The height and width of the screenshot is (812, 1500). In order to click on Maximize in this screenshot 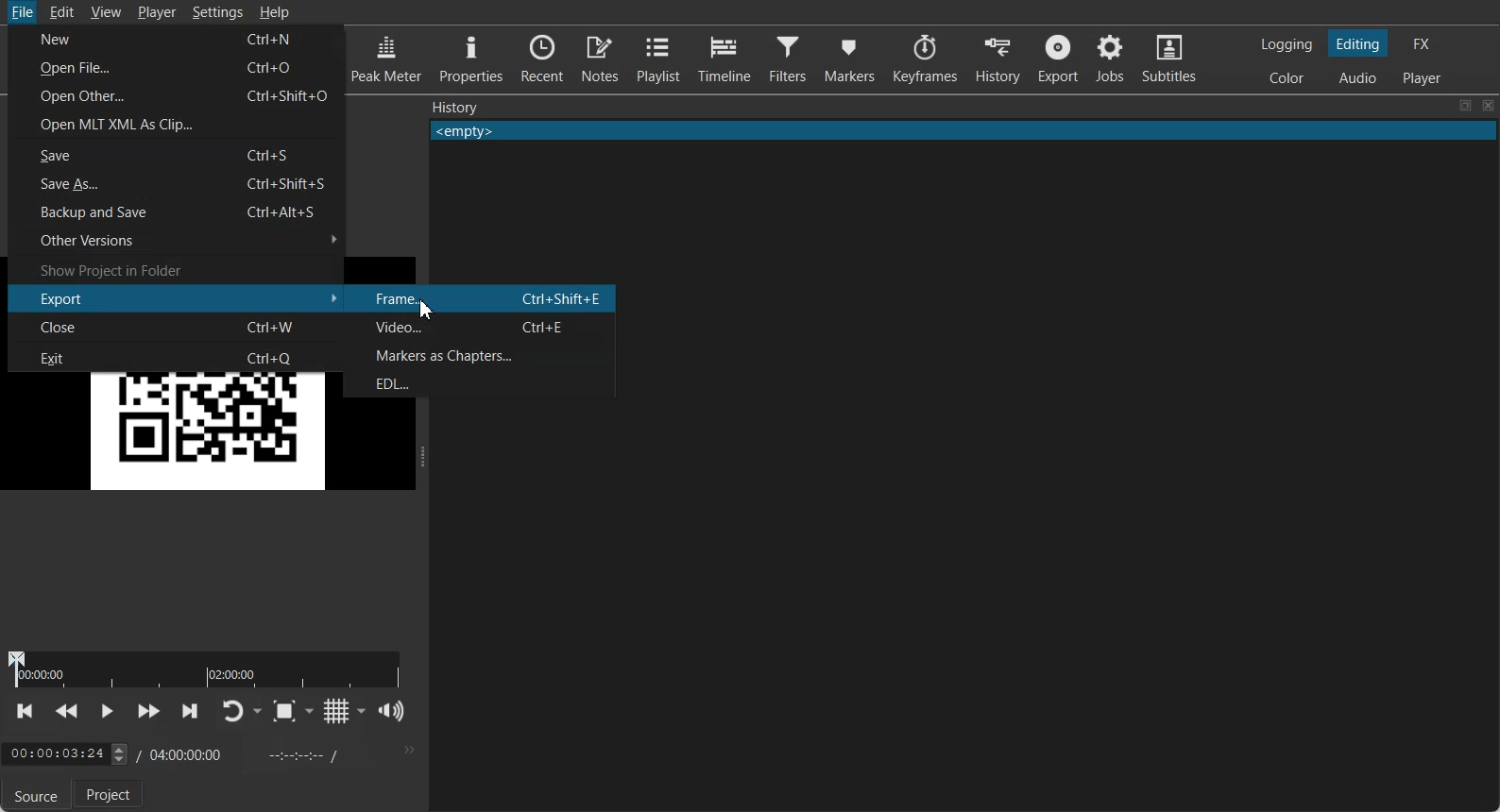, I will do `click(1465, 106)`.